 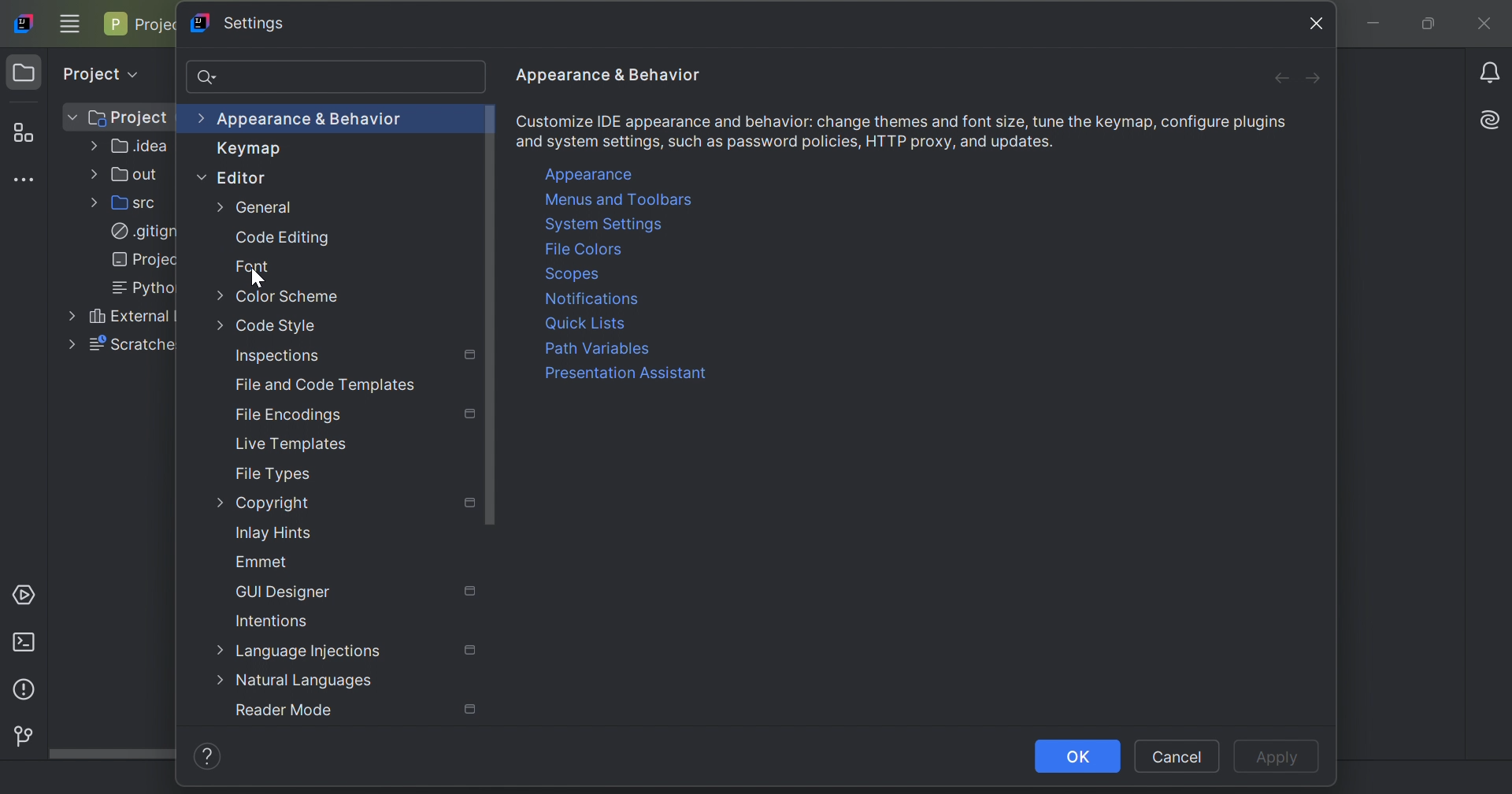 I want to click on General, so click(x=255, y=207).